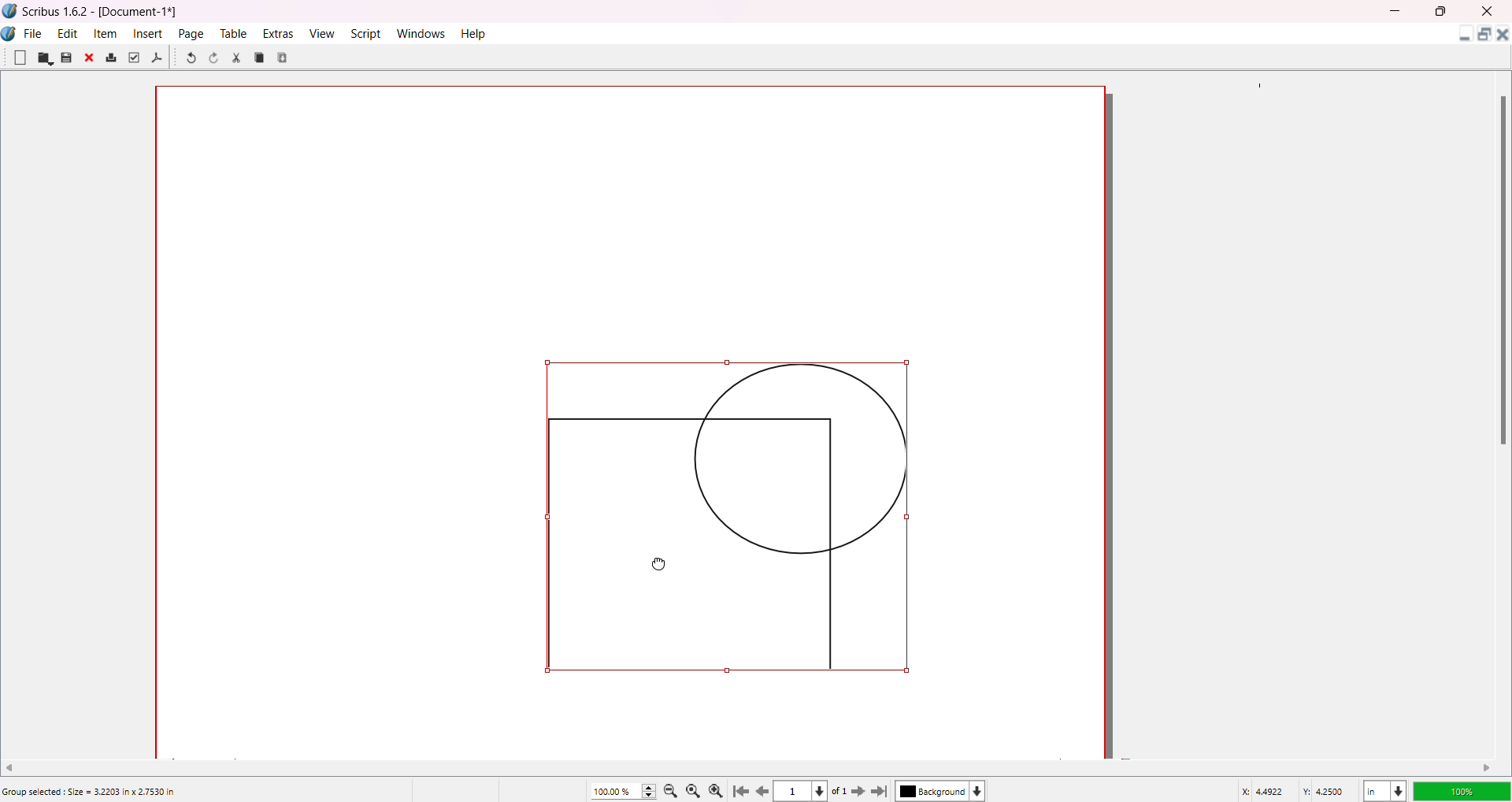  What do you see at coordinates (68, 32) in the screenshot?
I see `Edit` at bounding box center [68, 32].